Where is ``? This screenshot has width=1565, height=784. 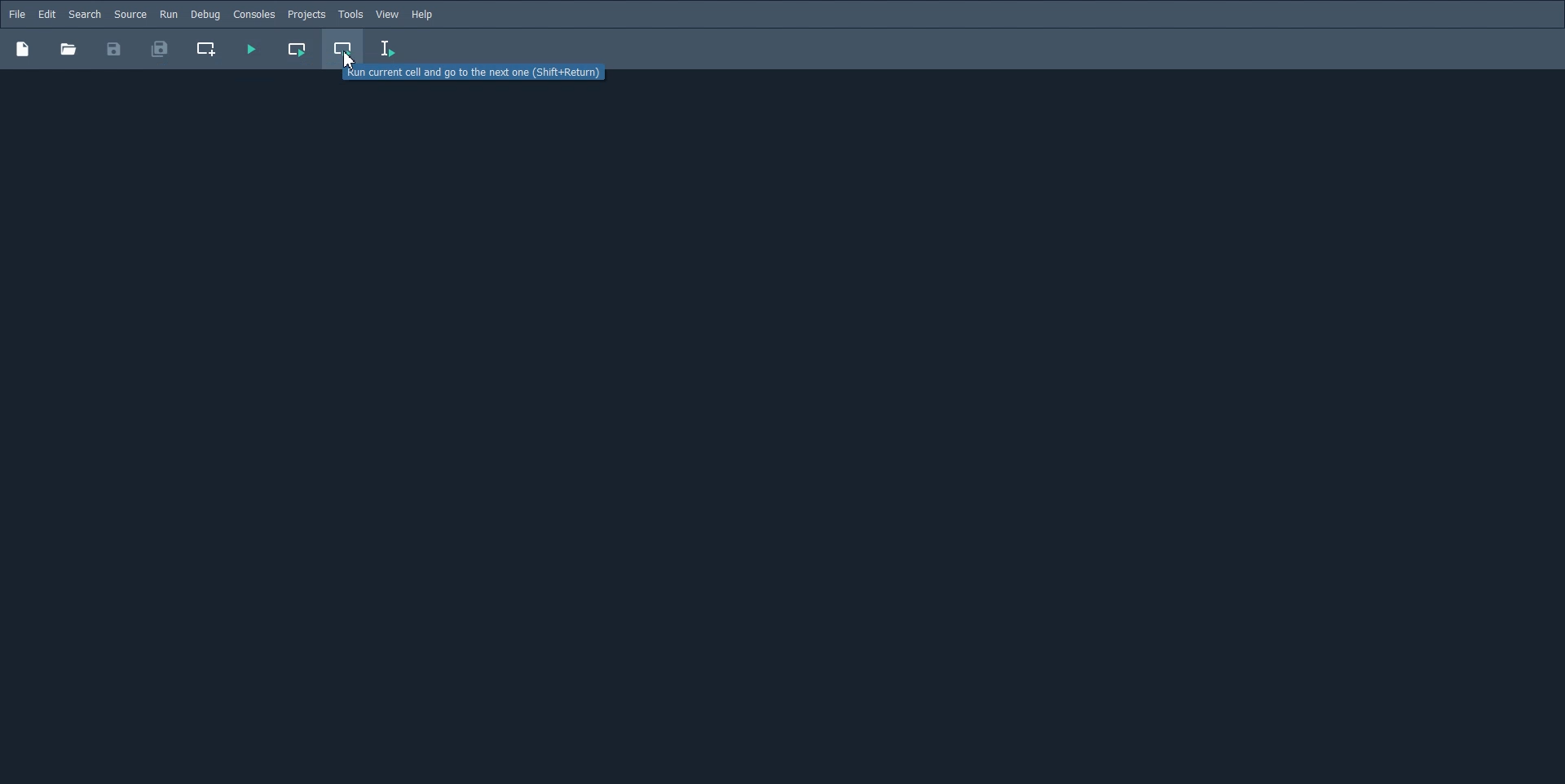  is located at coordinates (68, 49).